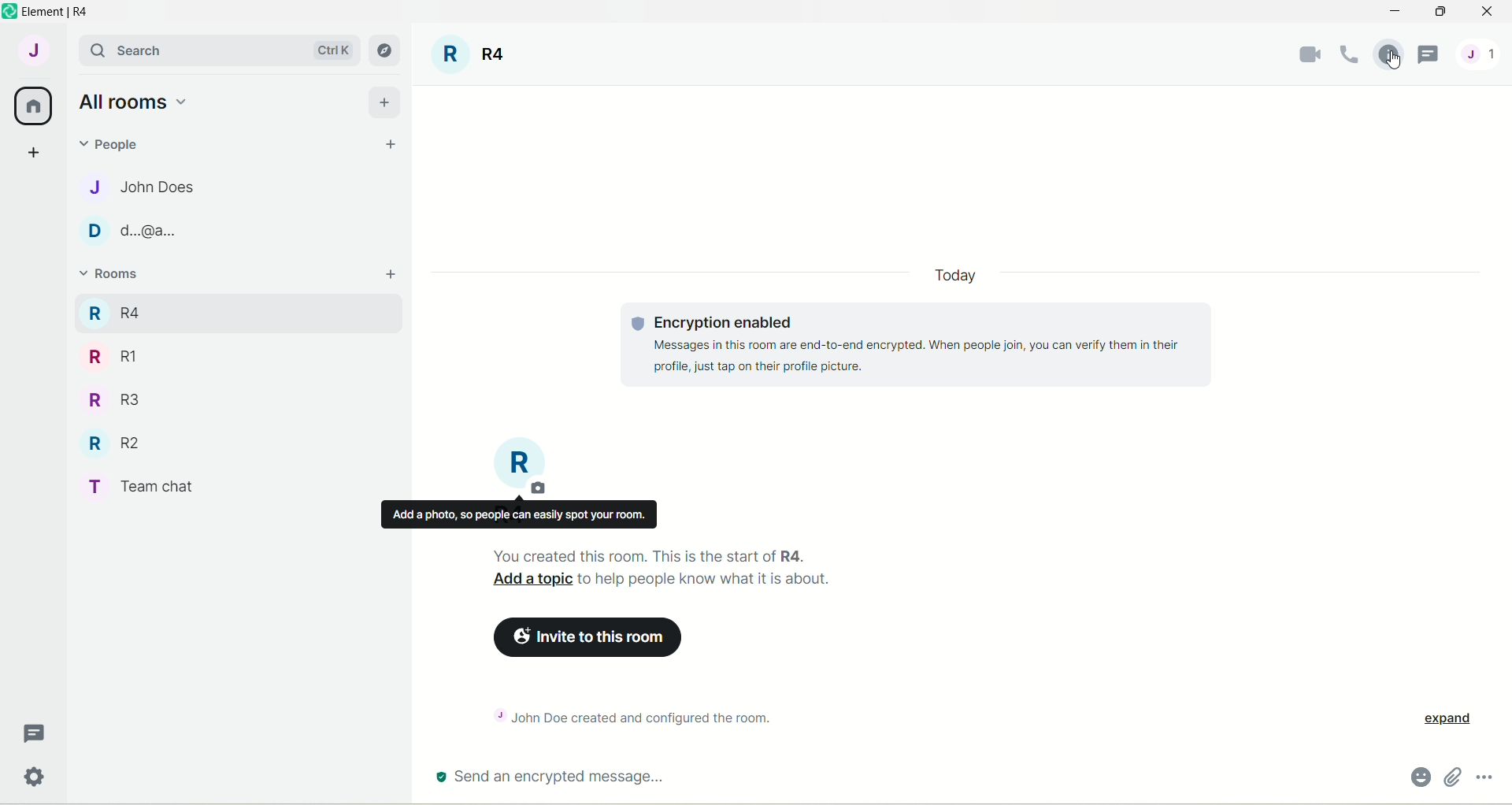  I want to click on rooms, so click(112, 276).